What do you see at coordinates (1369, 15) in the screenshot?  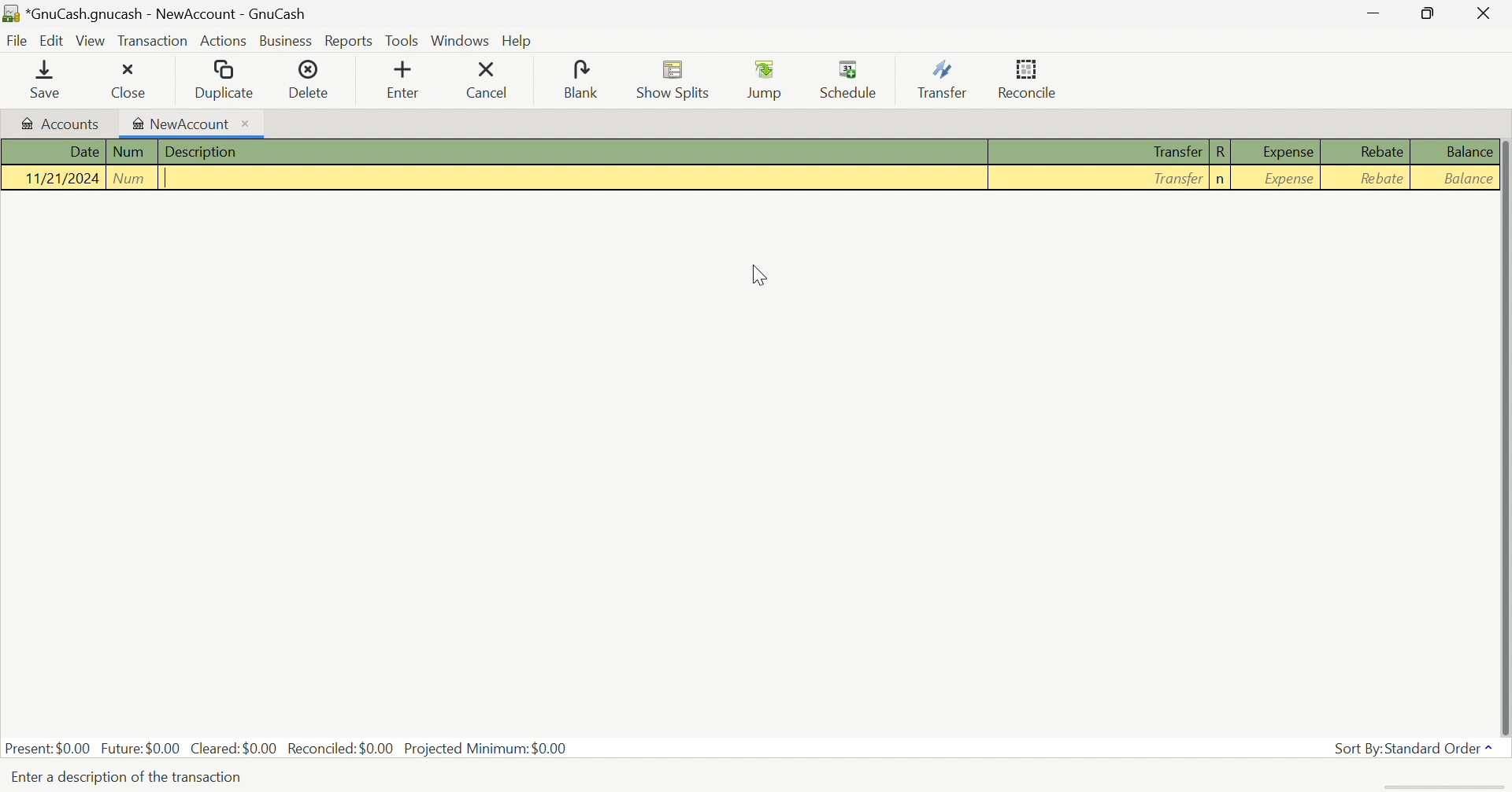 I see `Minimize` at bounding box center [1369, 15].